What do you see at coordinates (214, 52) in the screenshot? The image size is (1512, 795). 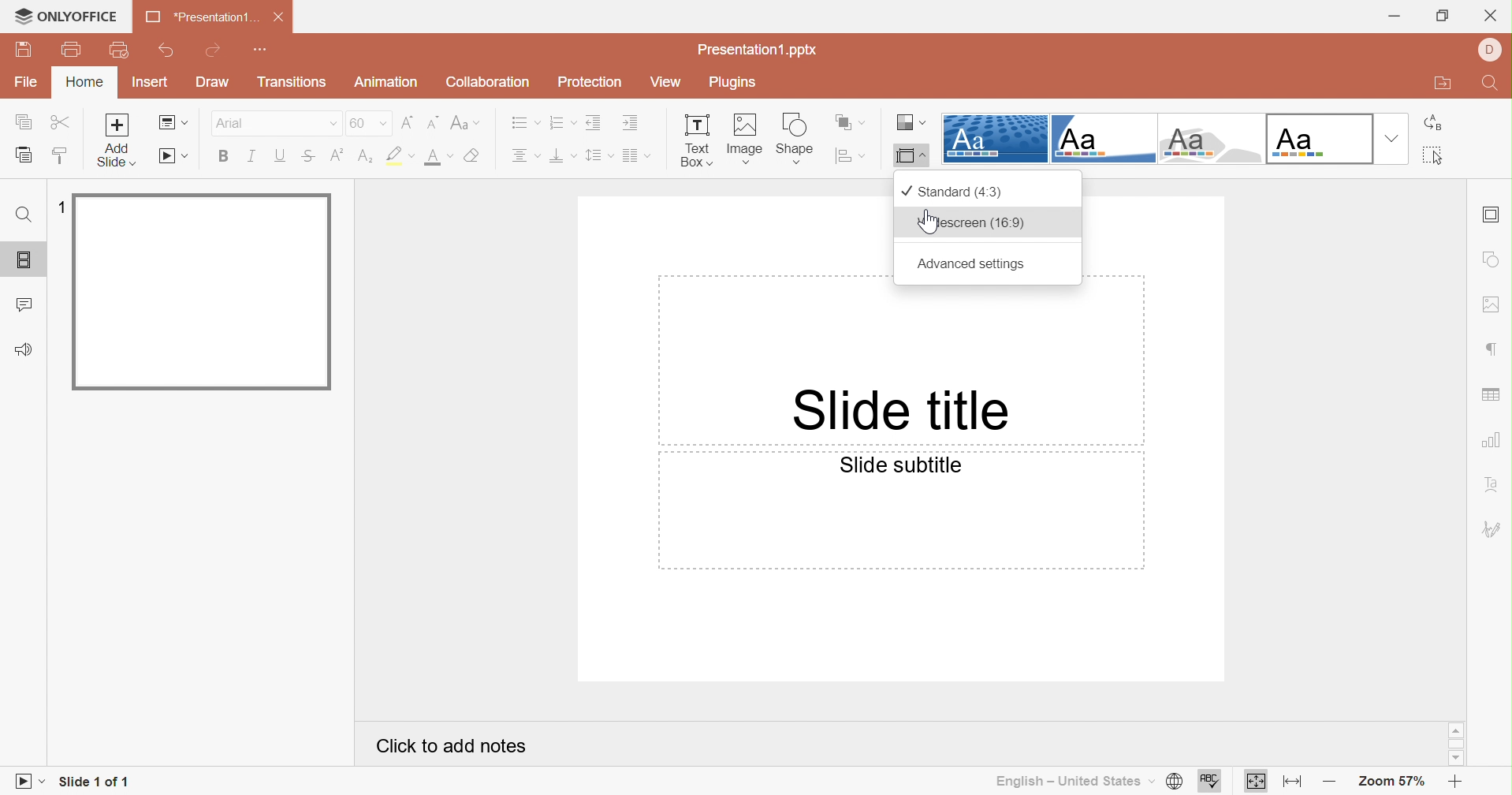 I see `Redo` at bounding box center [214, 52].